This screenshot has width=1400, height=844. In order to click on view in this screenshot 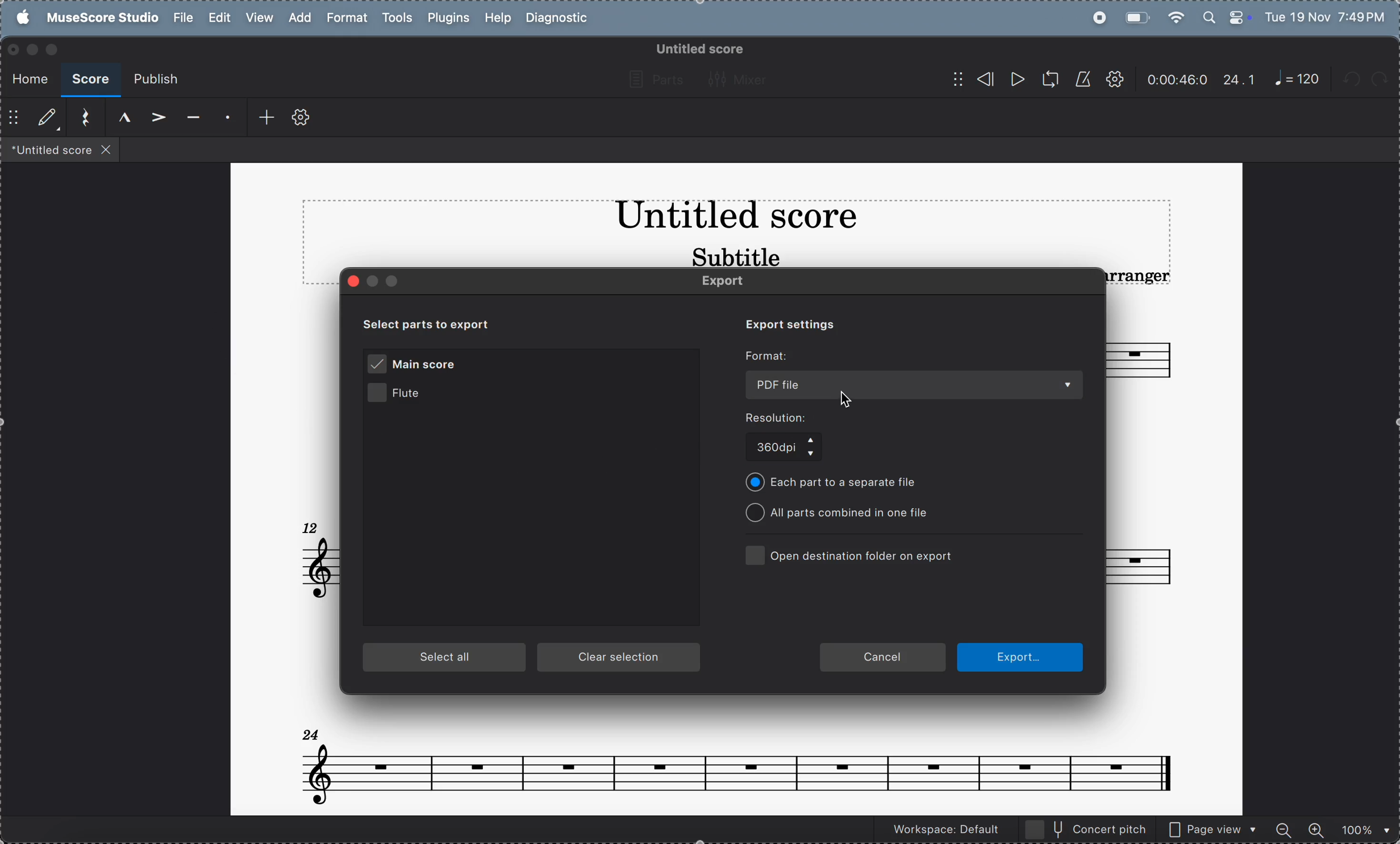, I will do `click(259, 18)`.